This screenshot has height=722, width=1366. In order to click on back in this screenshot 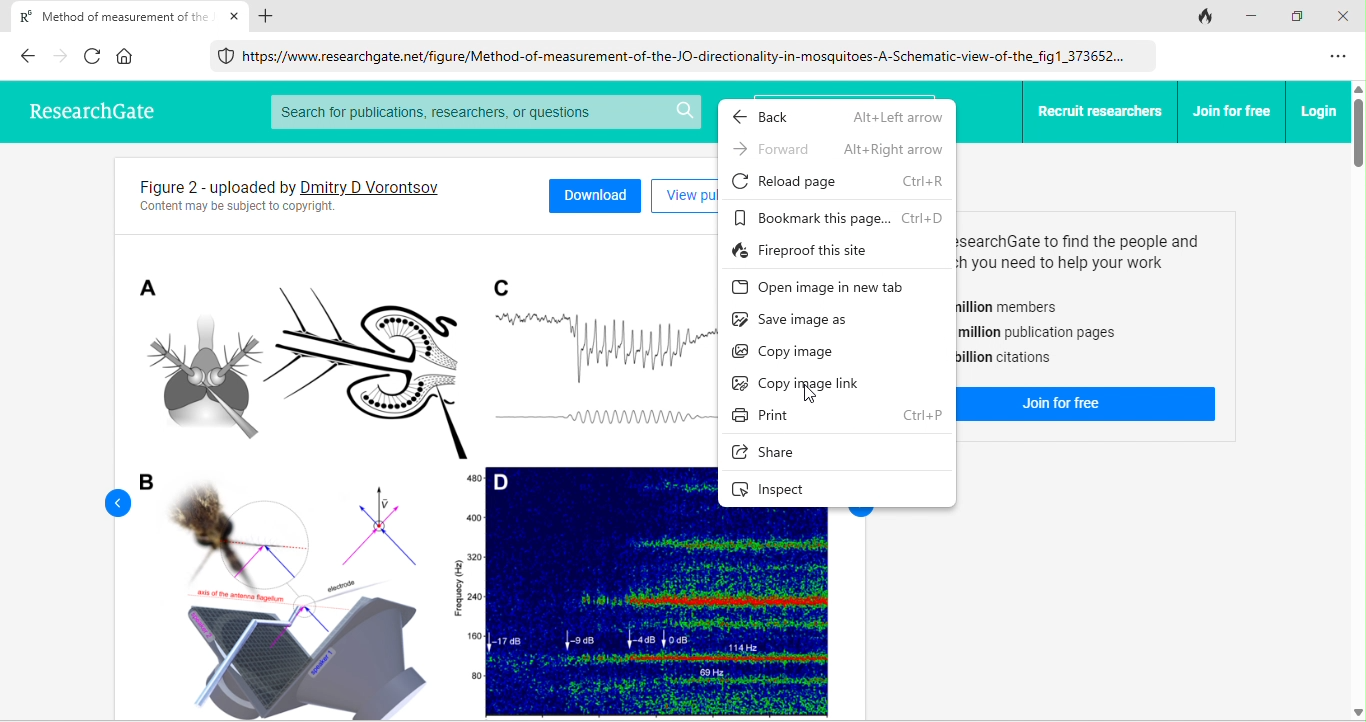, I will do `click(840, 119)`.